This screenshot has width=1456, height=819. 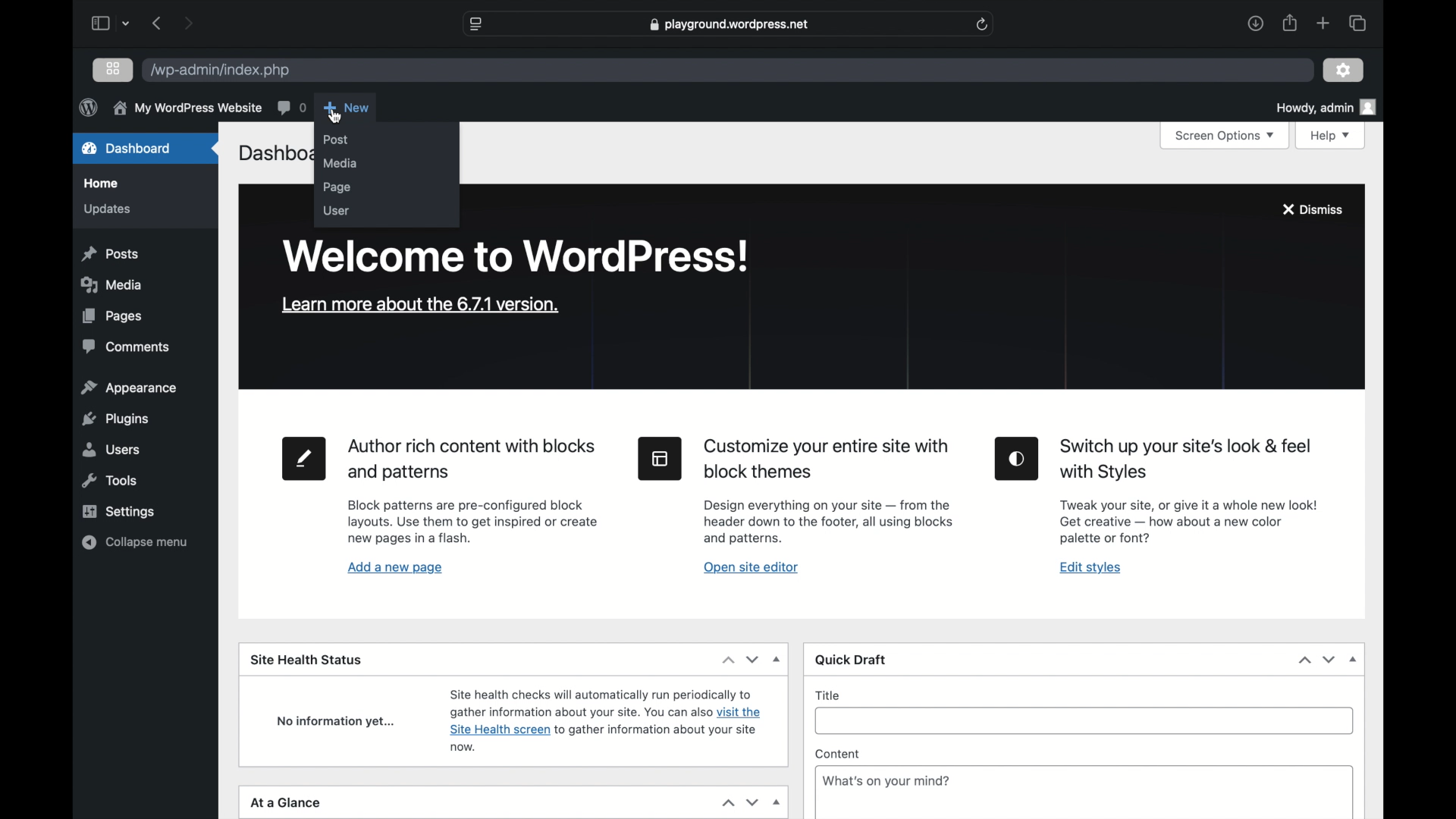 What do you see at coordinates (1353, 660) in the screenshot?
I see `dropdown` at bounding box center [1353, 660].